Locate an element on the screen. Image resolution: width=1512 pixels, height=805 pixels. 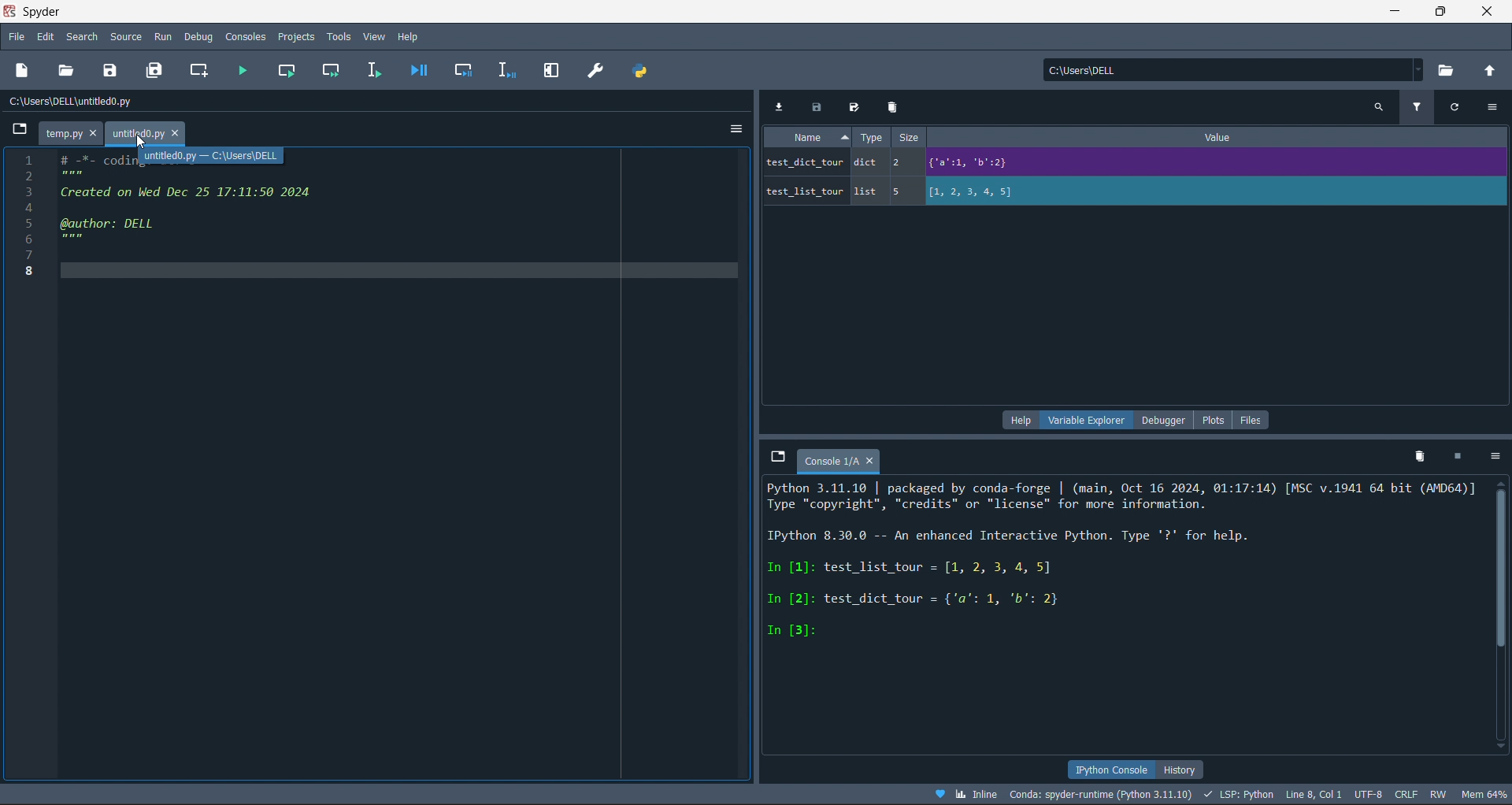
untitled.py is located at coordinates (152, 133).